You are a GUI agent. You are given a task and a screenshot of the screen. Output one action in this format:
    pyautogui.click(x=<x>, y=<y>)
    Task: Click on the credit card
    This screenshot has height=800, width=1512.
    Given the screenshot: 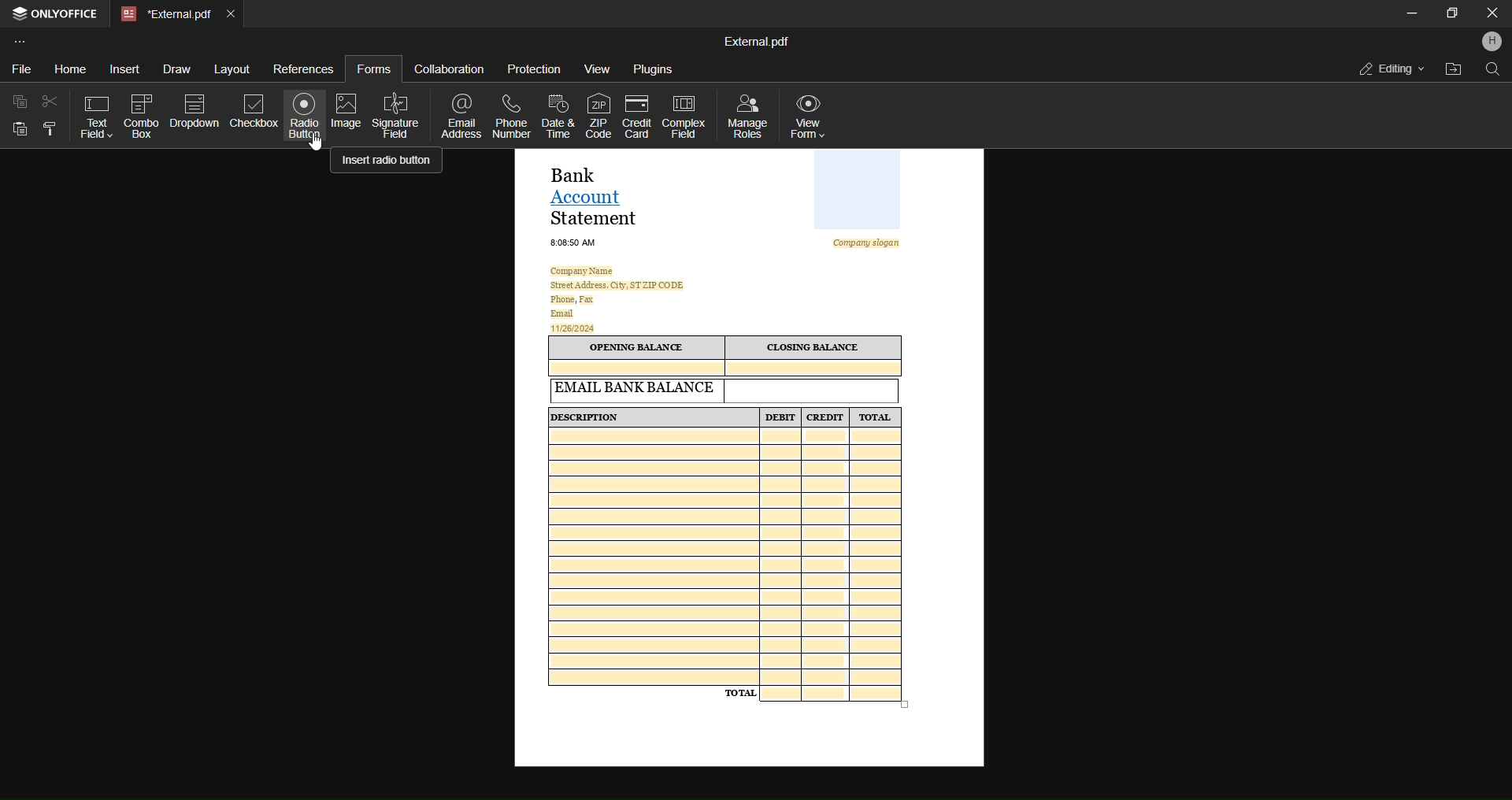 What is the action you would take?
    pyautogui.click(x=636, y=116)
    